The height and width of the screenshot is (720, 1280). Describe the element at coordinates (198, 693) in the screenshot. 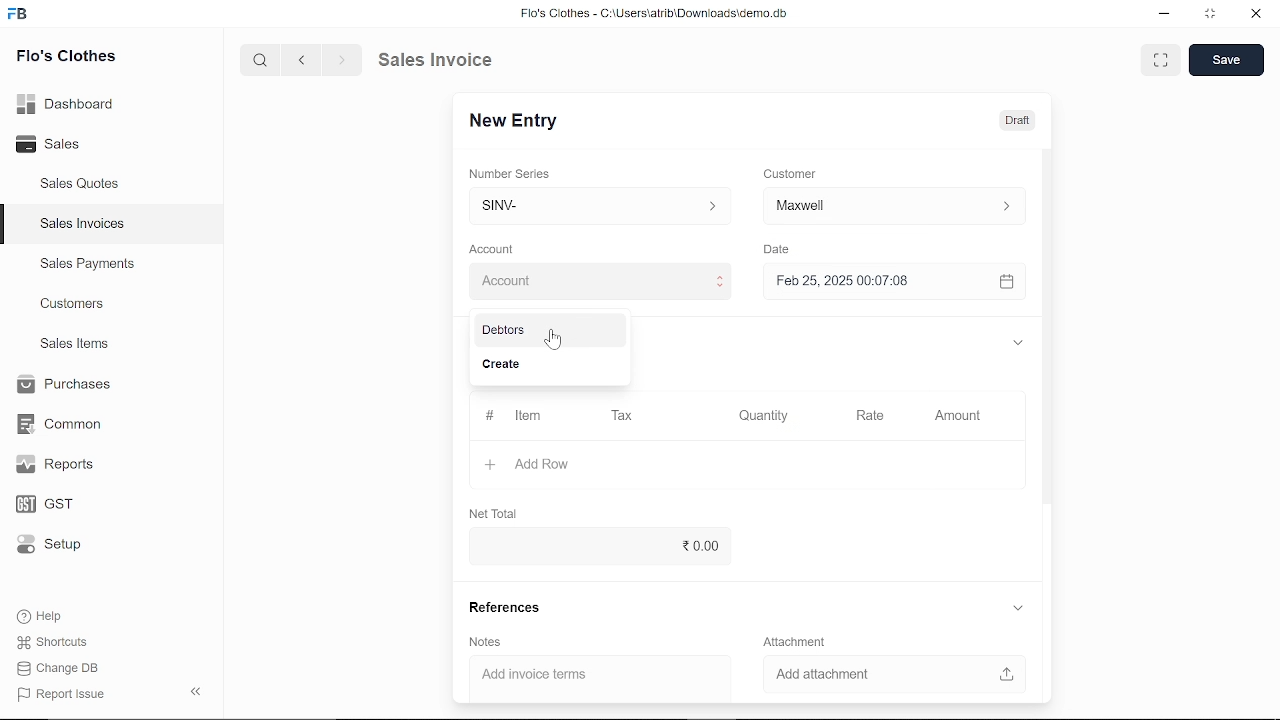

I see `collapse` at that location.